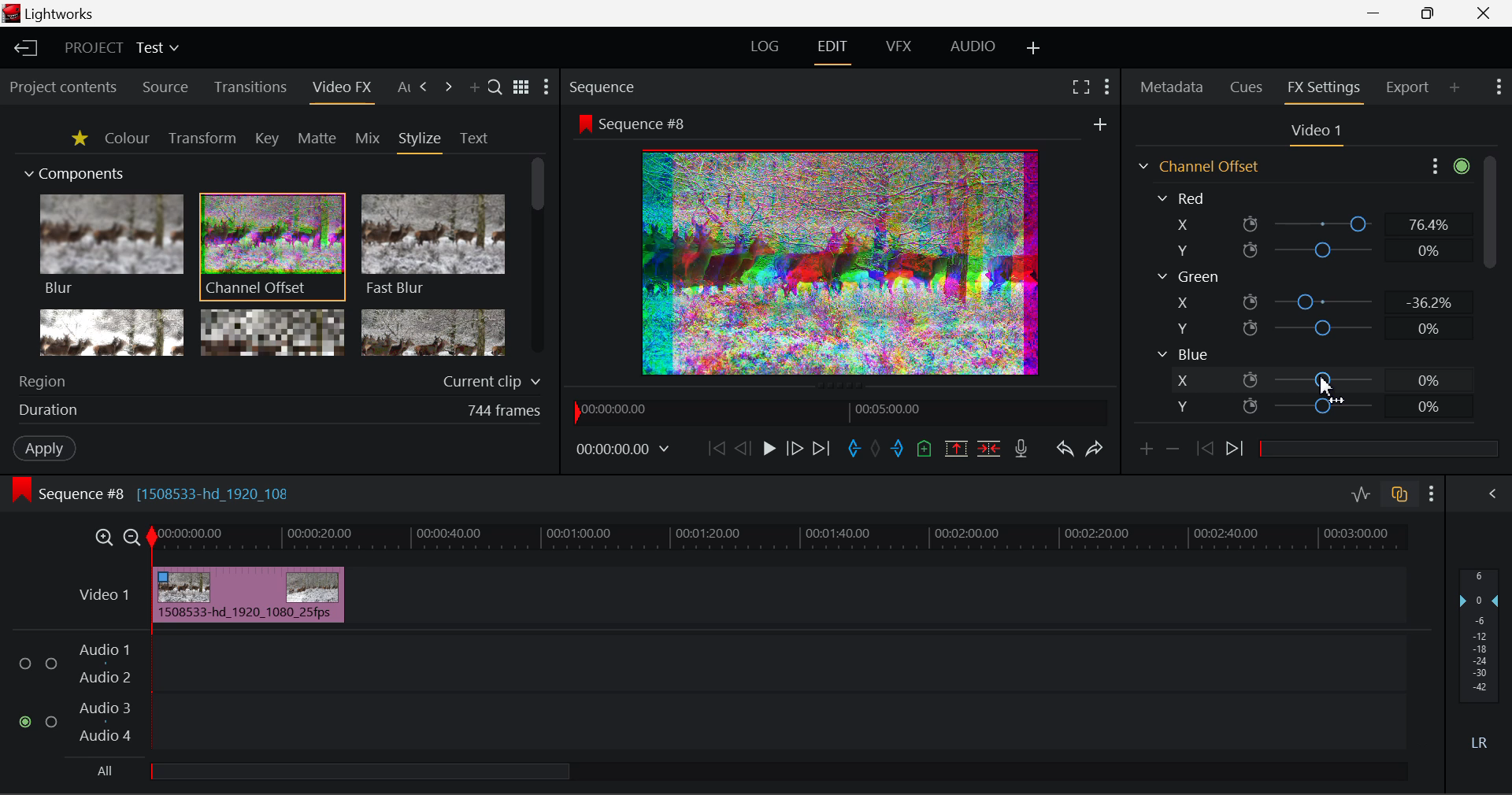 The image size is (1512, 795). What do you see at coordinates (103, 539) in the screenshot?
I see `Timeline Zoom In` at bounding box center [103, 539].